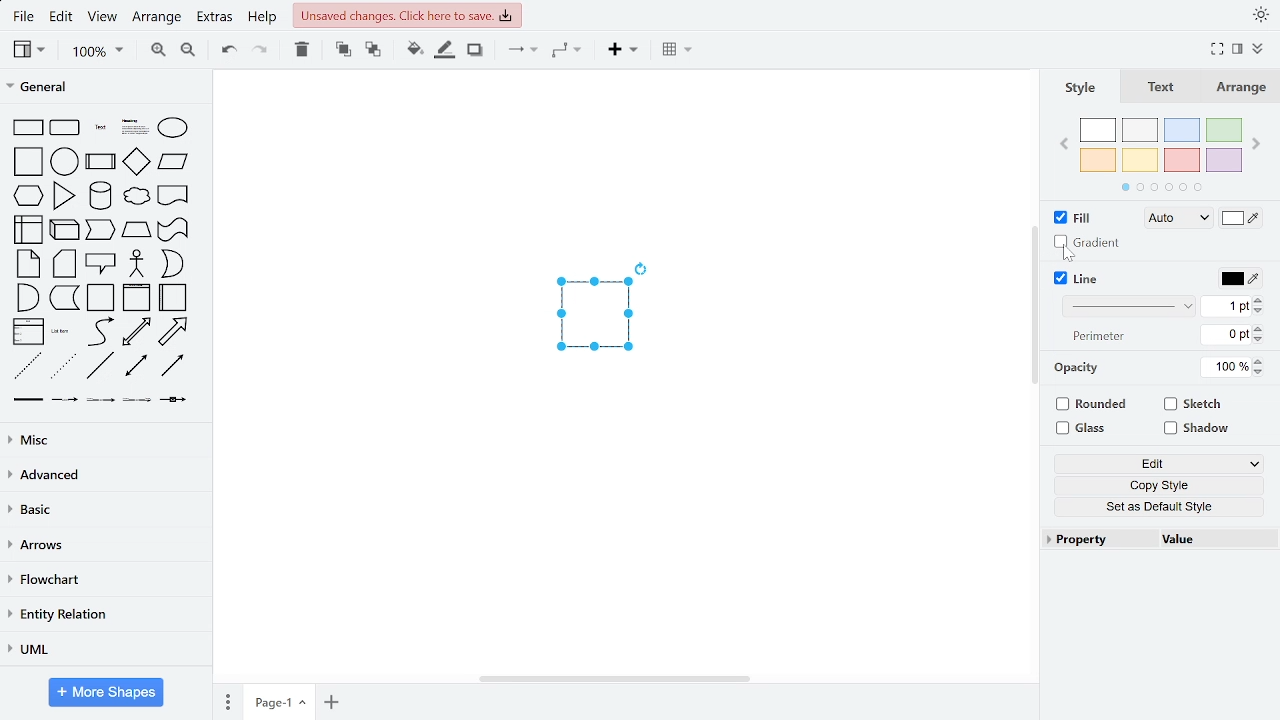 The height and width of the screenshot is (720, 1280). What do you see at coordinates (262, 51) in the screenshot?
I see `redo` at bounding box center [262, 51].